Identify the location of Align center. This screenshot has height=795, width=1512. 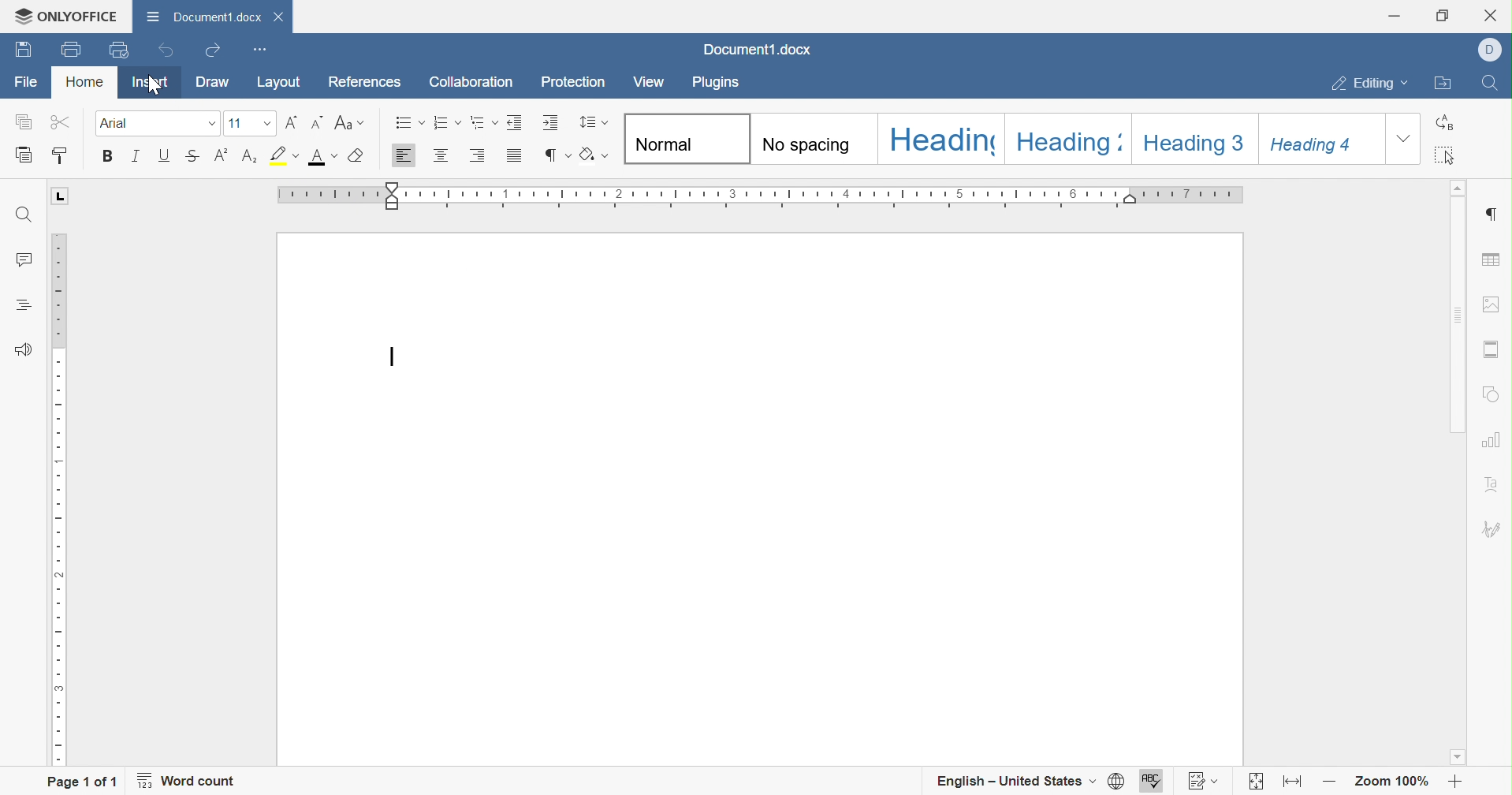
(445, 157).